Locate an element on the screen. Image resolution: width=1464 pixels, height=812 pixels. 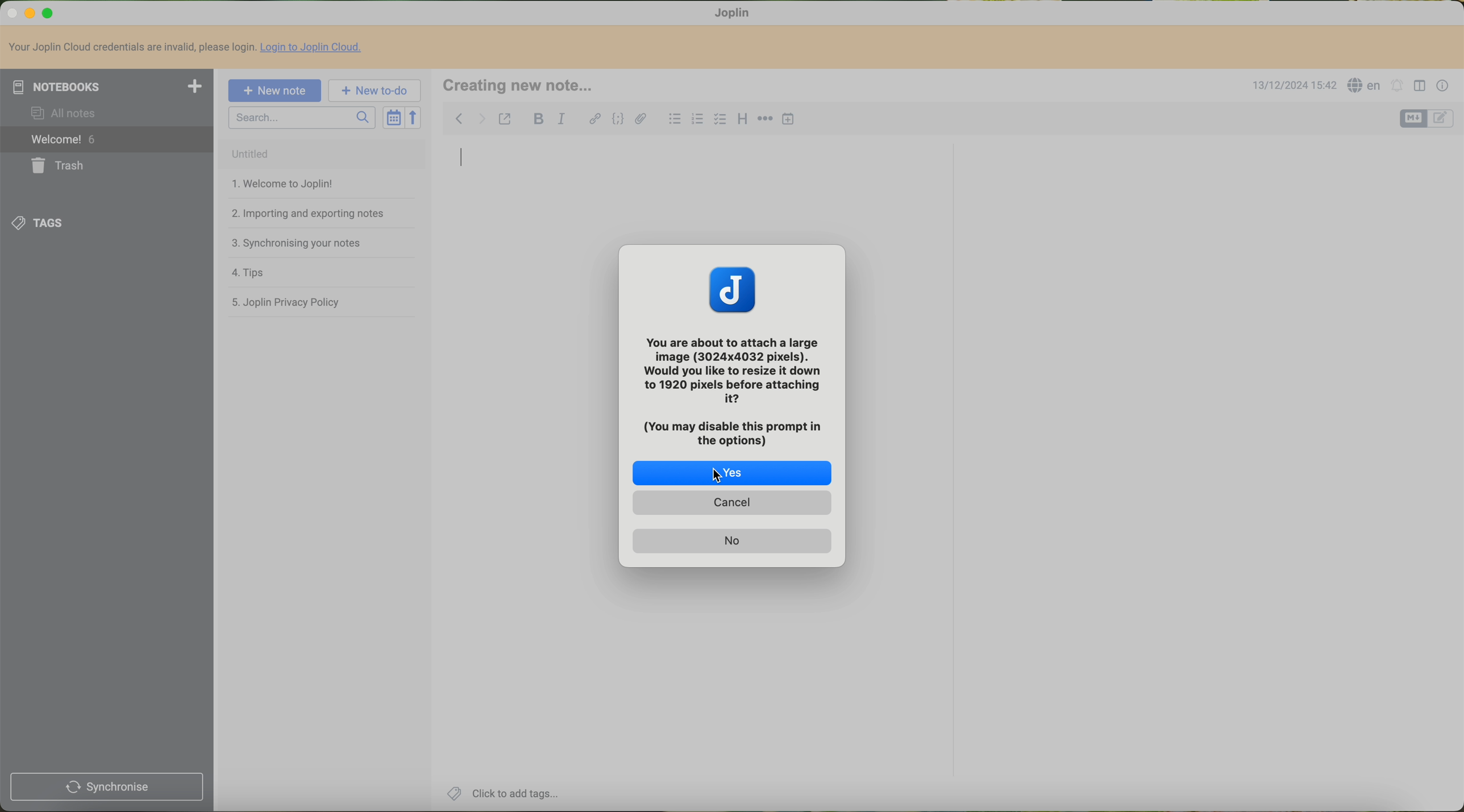
close Calibre is located at coordinates (11, 12).